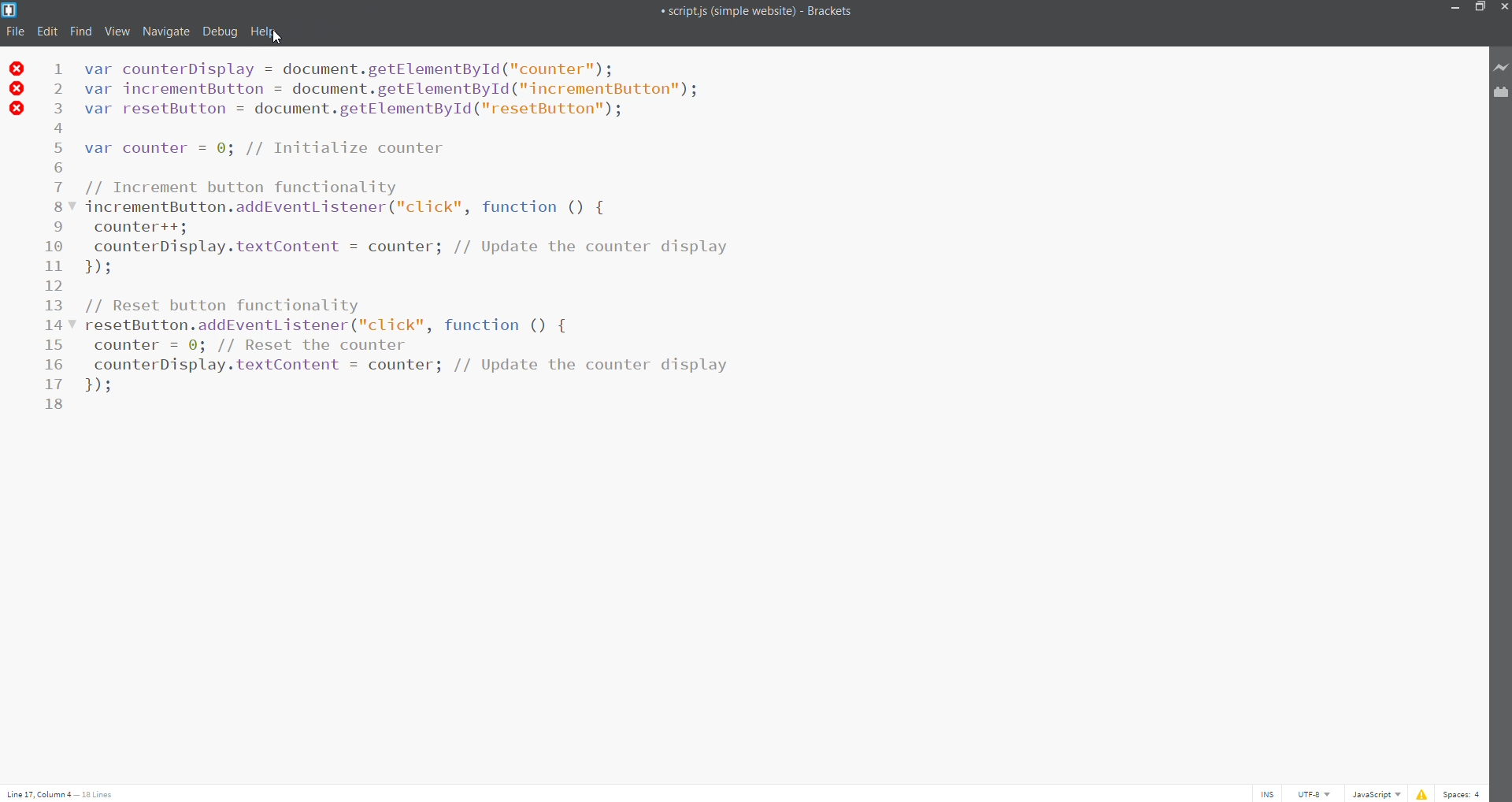 This screenshot has height=802, width=1512. What do you see at coordinates (1310, 793) in the screenshot?
I see `encoding` at bounding box center [1310, 793].